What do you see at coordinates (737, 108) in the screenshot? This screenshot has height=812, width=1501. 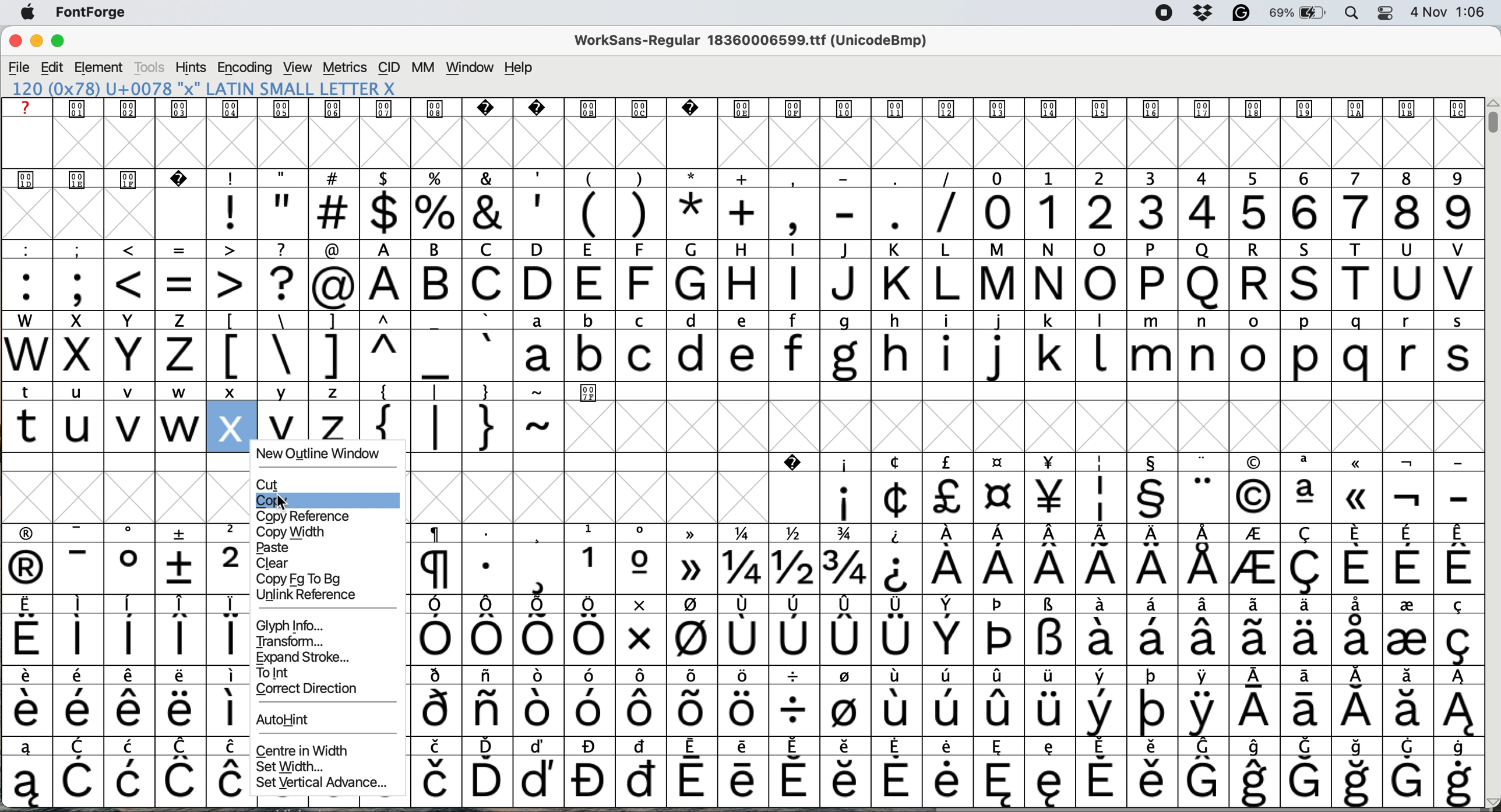 I see `text` at bounding box center [737, 108].